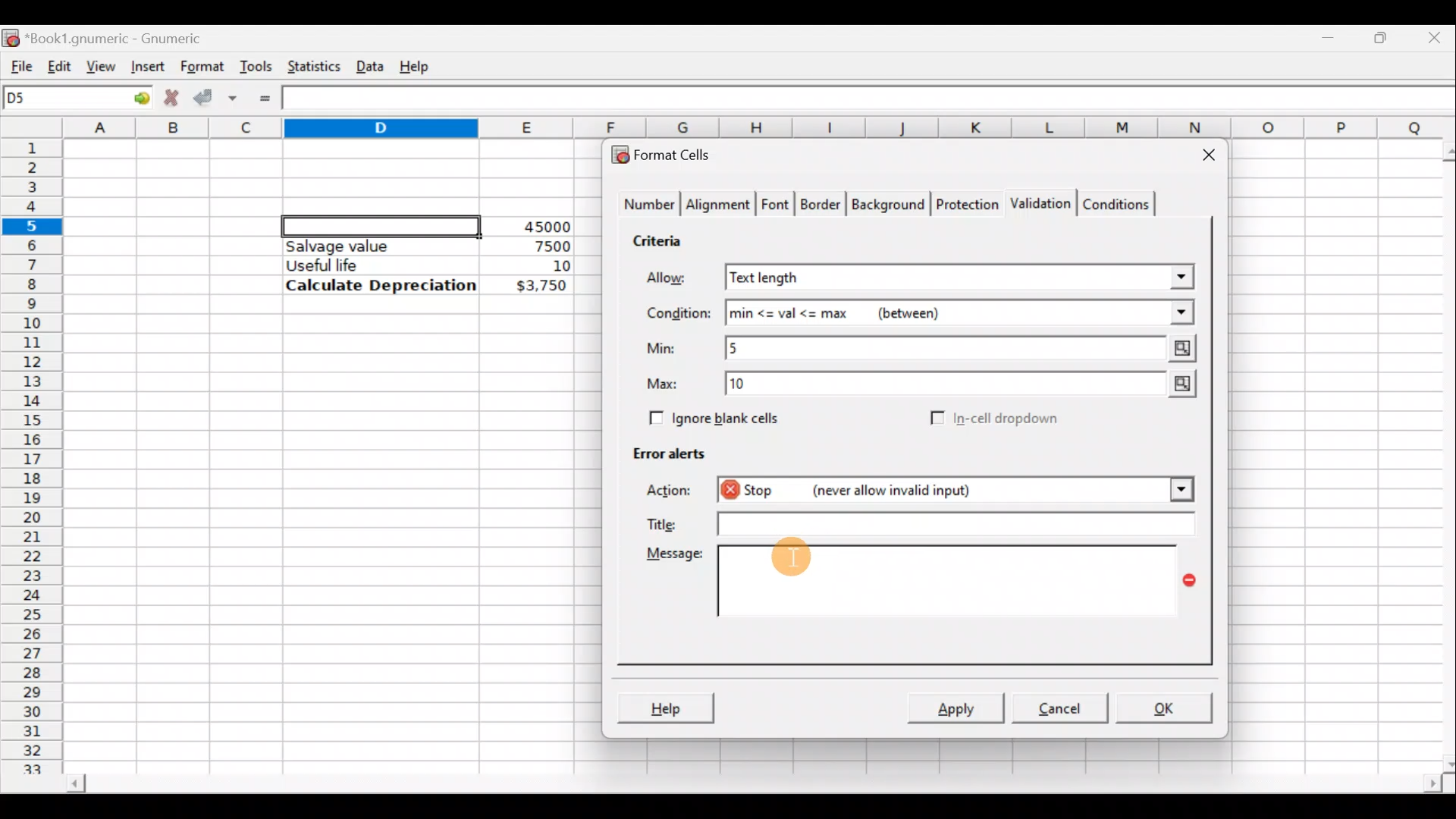 This screenshot has height=819, width=1456. Describe the element at coordinates (719, 206) in the screenshot. I see `Alignment` at that location.